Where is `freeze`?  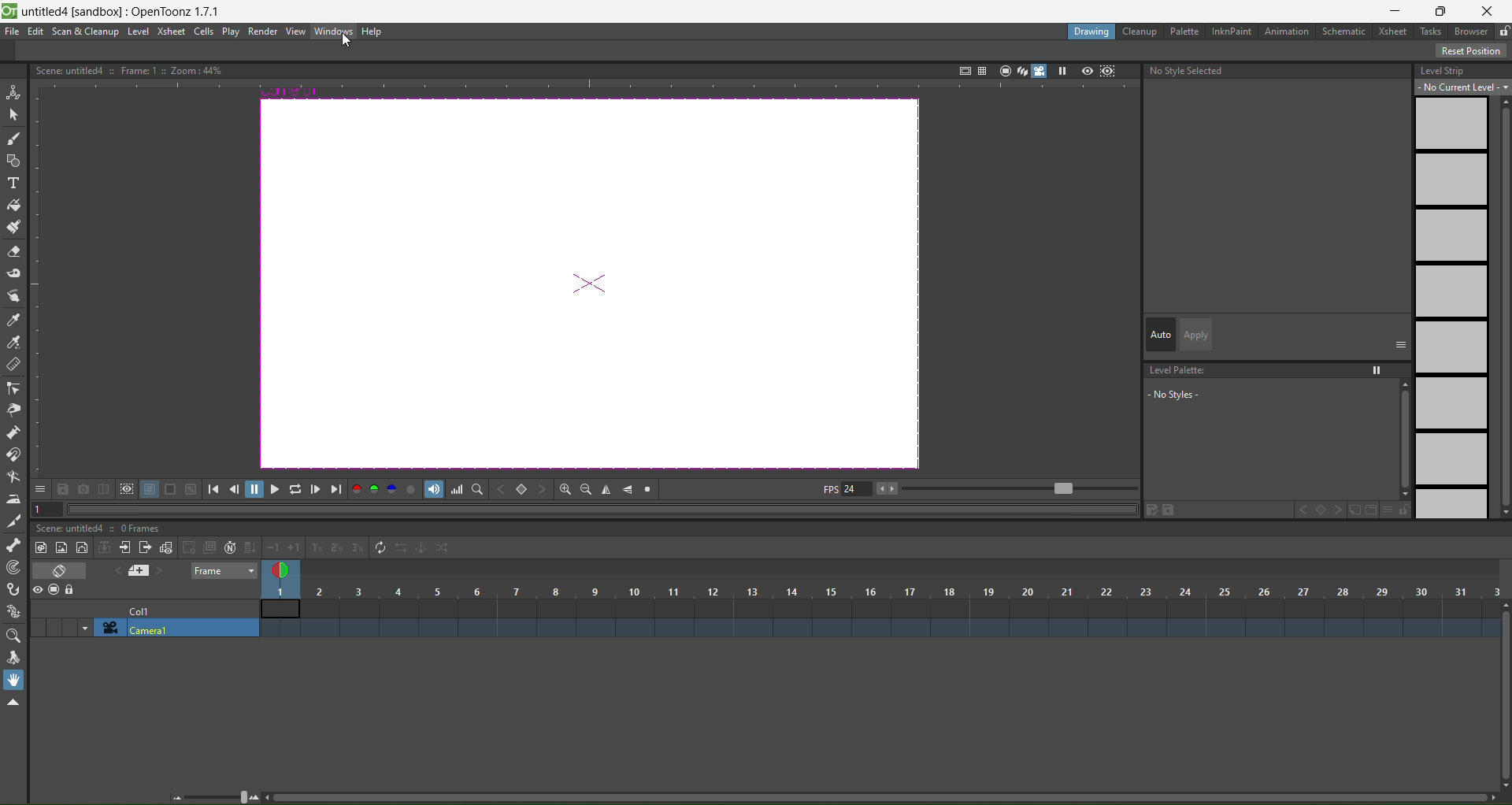 freeze is located at coordinates (1061, 71).